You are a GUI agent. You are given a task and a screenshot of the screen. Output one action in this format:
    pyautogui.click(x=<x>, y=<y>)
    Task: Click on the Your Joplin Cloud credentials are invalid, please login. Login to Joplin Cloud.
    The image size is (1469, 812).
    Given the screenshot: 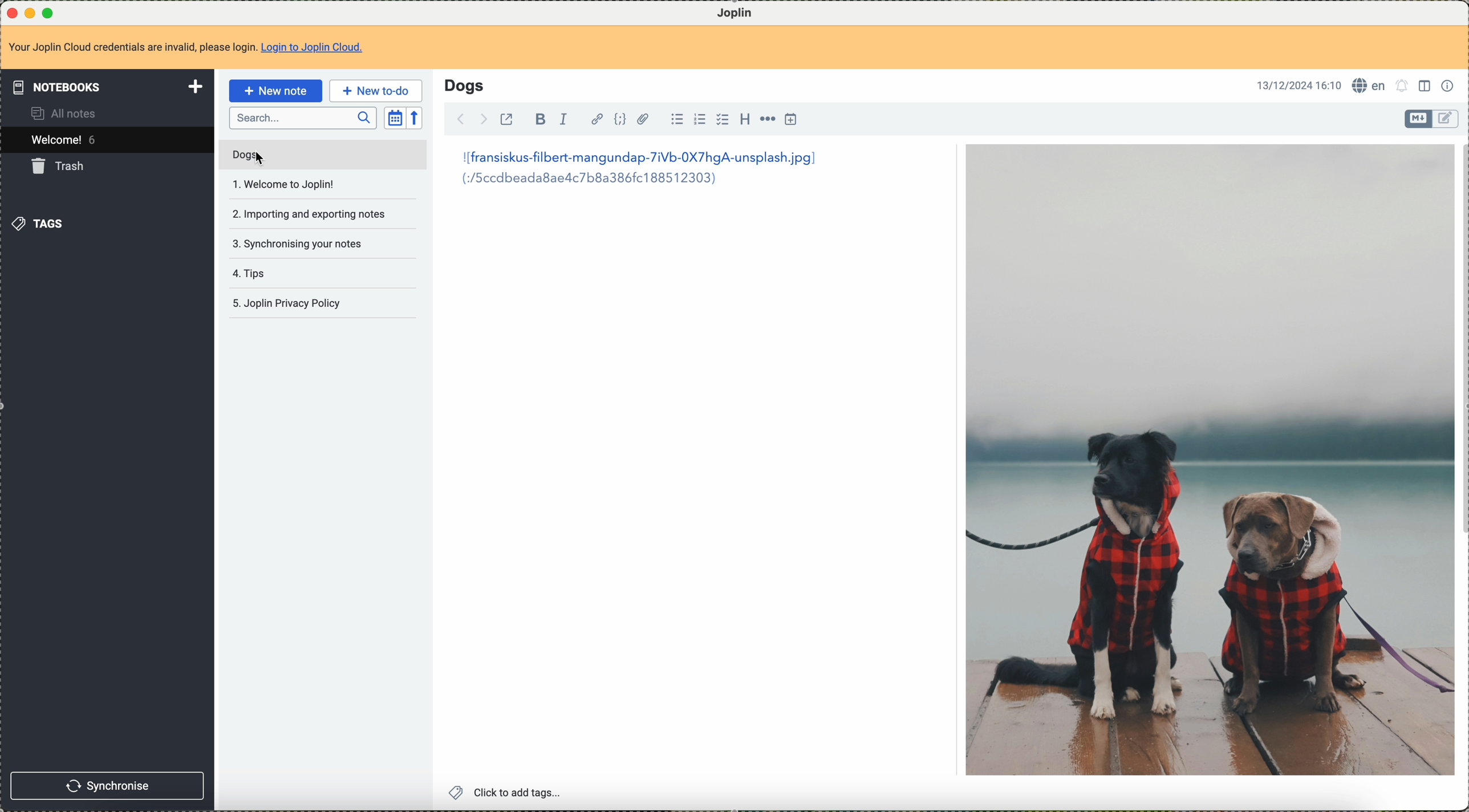 What is the action you would take?
    pyautogui.click(x=197, y=47)
    